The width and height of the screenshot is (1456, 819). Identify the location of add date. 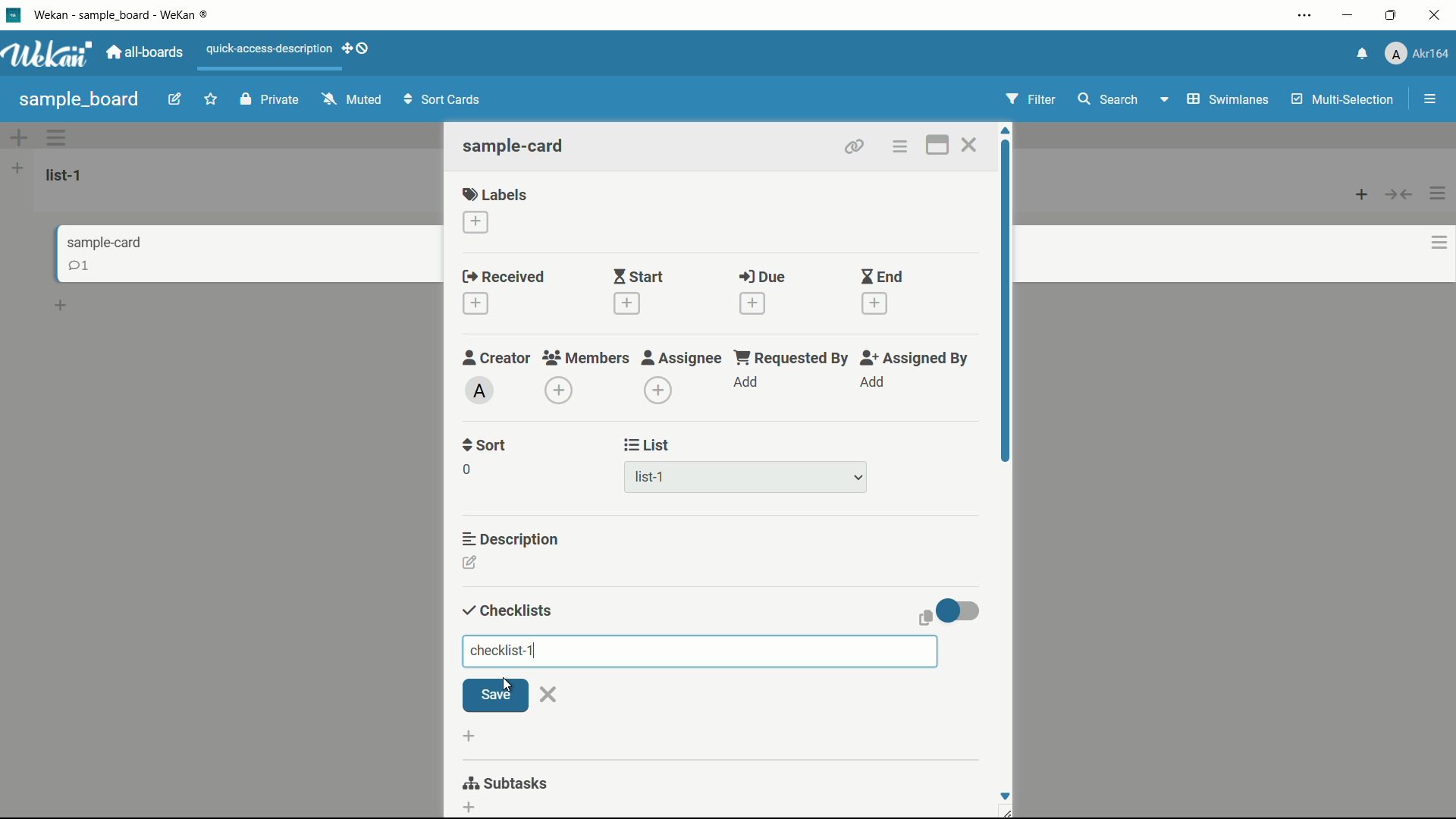
(874, 303).